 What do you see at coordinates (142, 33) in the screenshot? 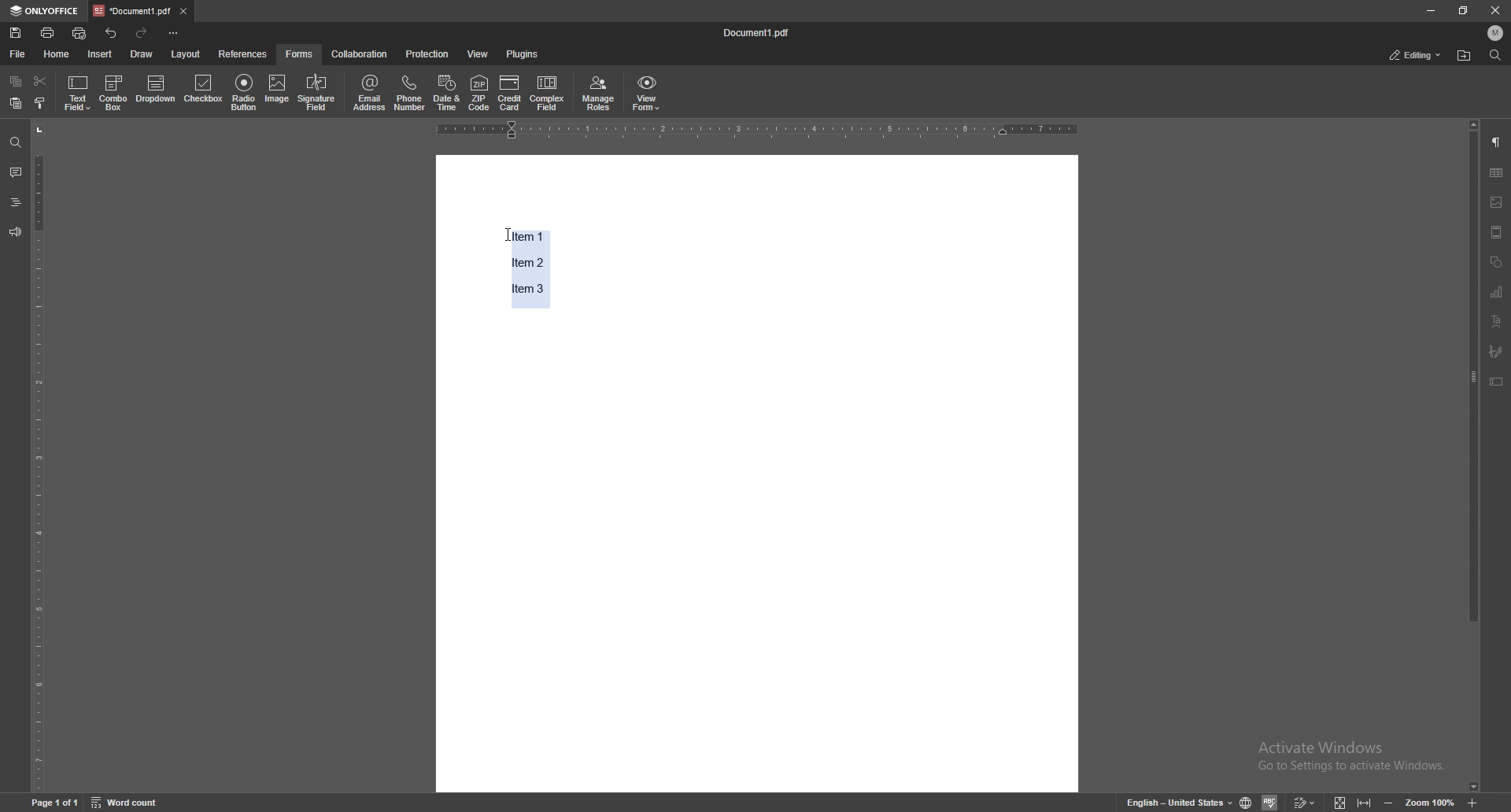
I see `redo` at bounding box center [142, 33].